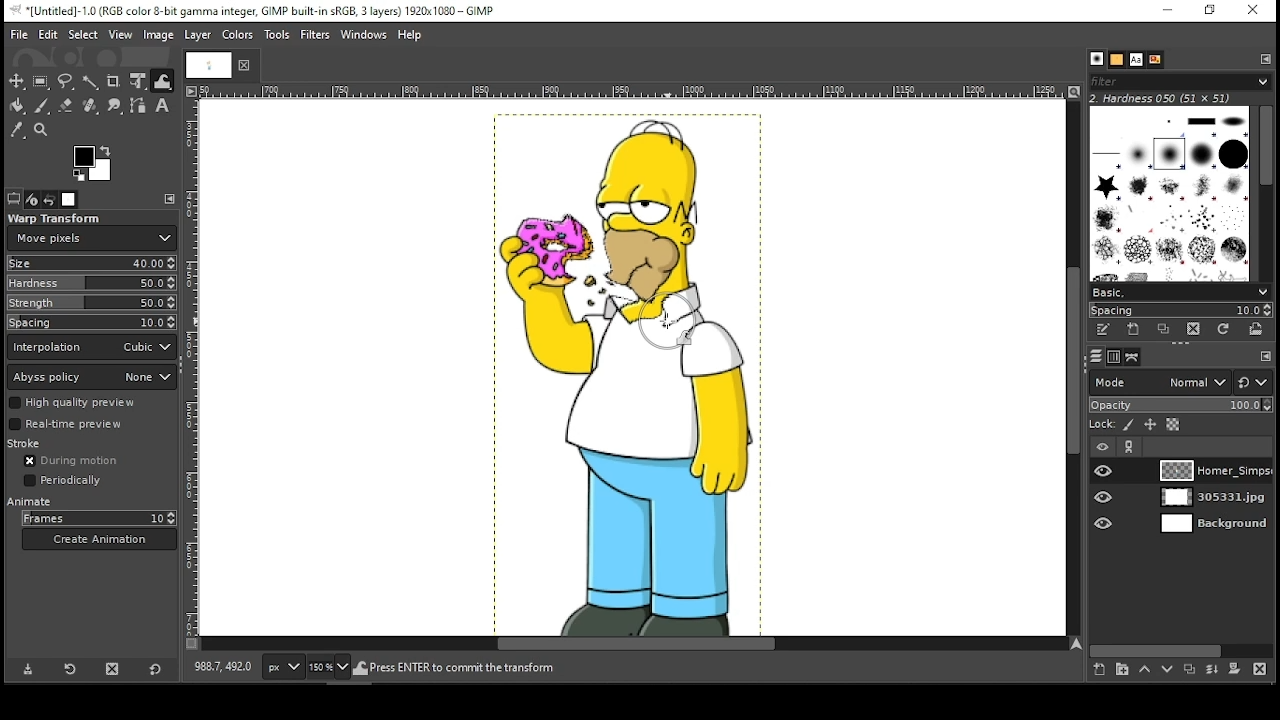 This screenshot has width=1280, height=720. Describe the element at coordinates (223, 668) in the screenshot. I see `892.0, 406.0` at that location.